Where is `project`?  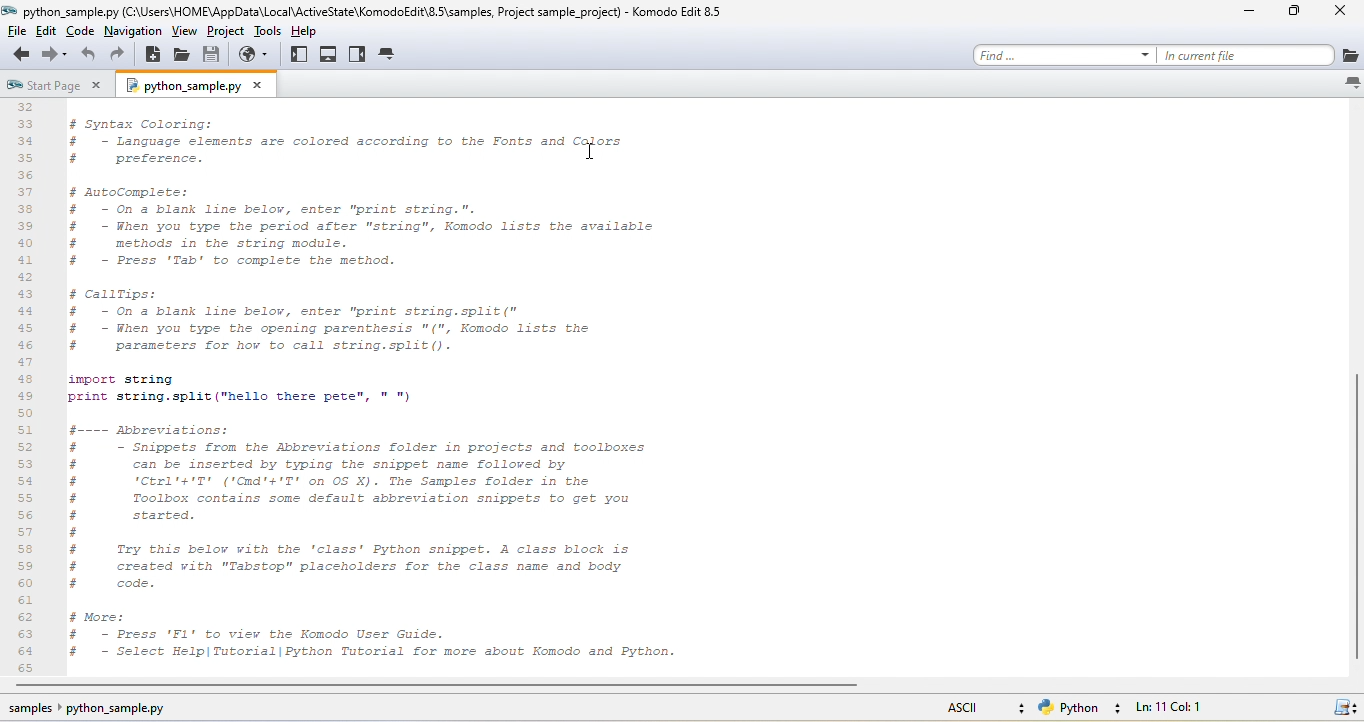
project is located at coordinates (225, 34).